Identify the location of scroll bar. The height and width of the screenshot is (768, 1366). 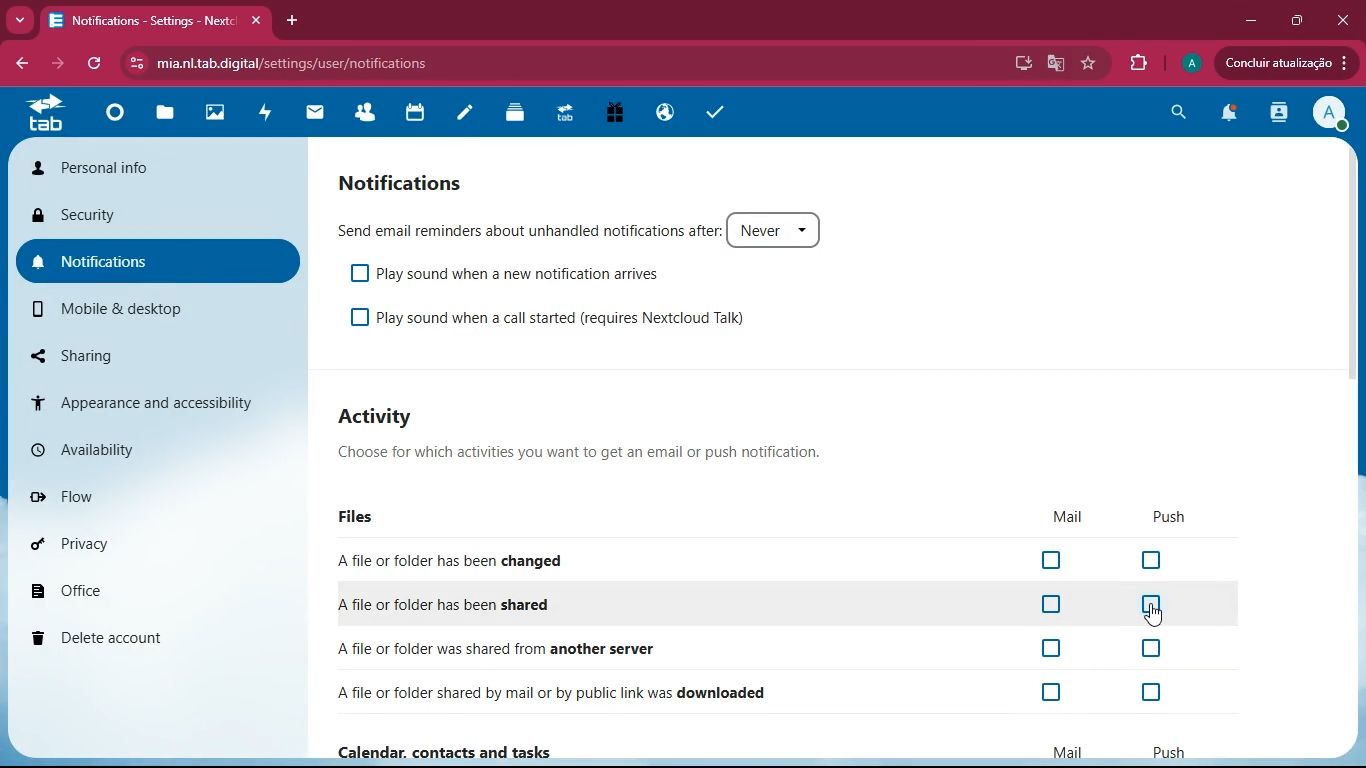
(1354, 286).